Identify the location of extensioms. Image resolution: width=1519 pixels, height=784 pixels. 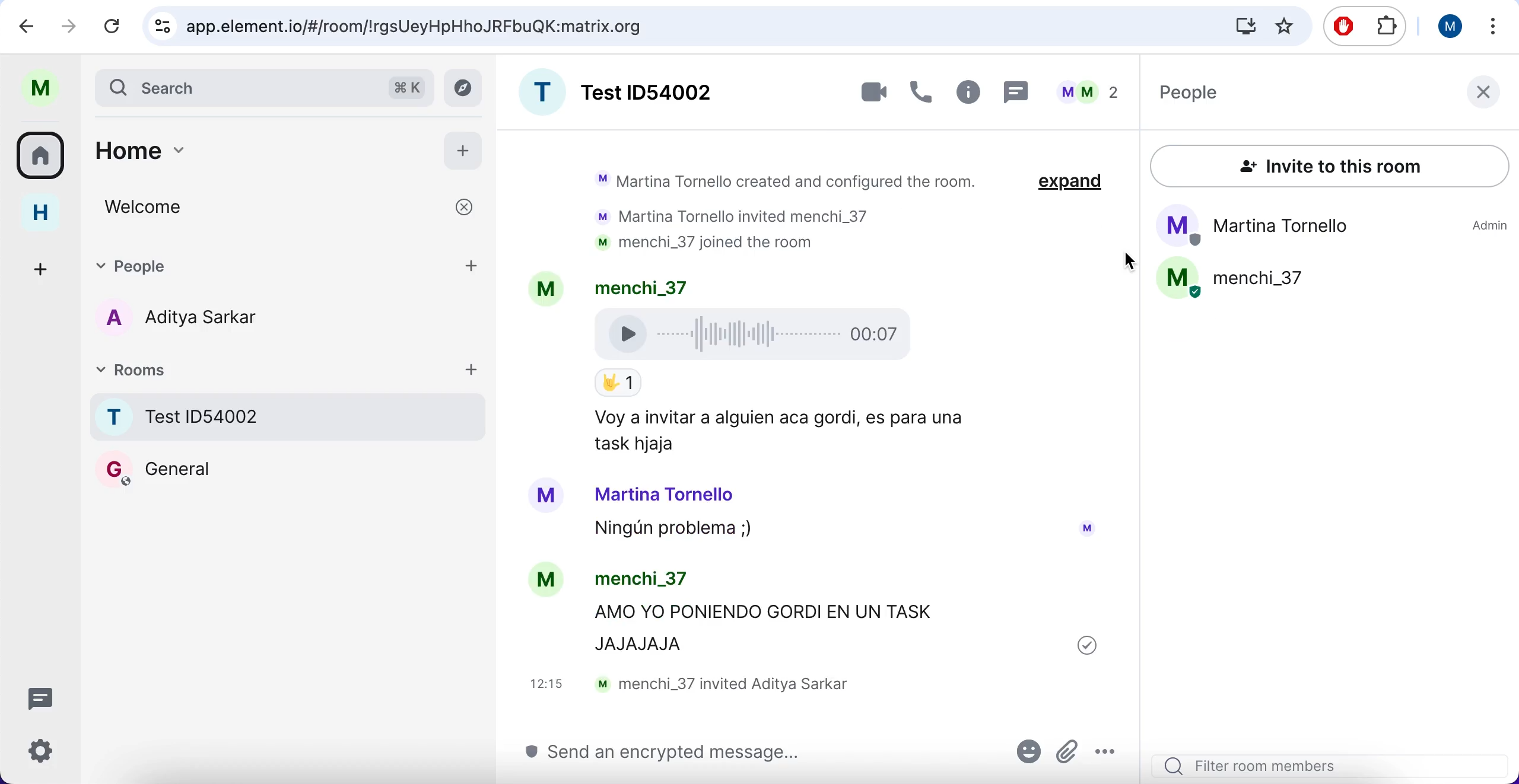
(1385, 29).